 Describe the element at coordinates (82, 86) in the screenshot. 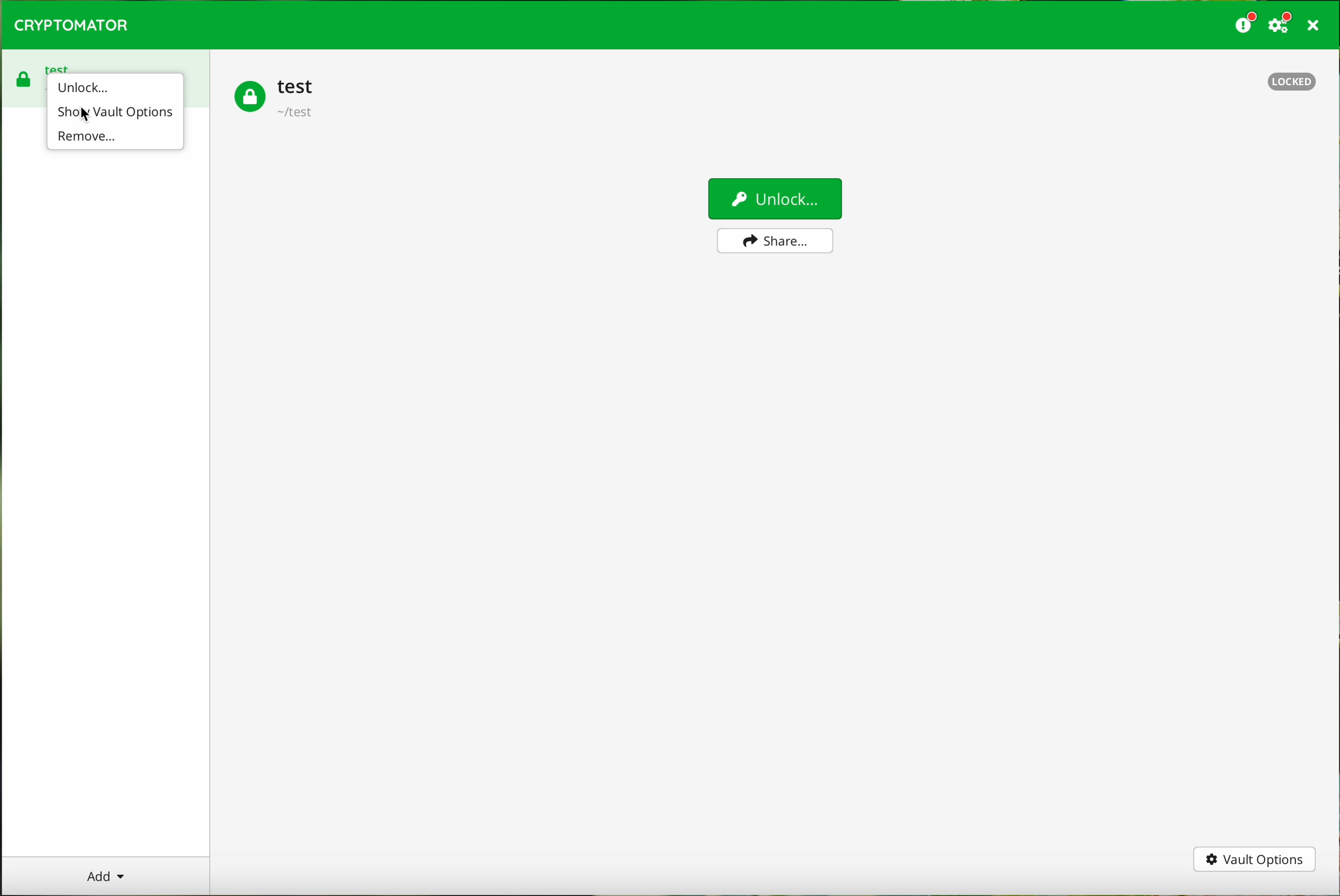

I see `unlock` at that location.